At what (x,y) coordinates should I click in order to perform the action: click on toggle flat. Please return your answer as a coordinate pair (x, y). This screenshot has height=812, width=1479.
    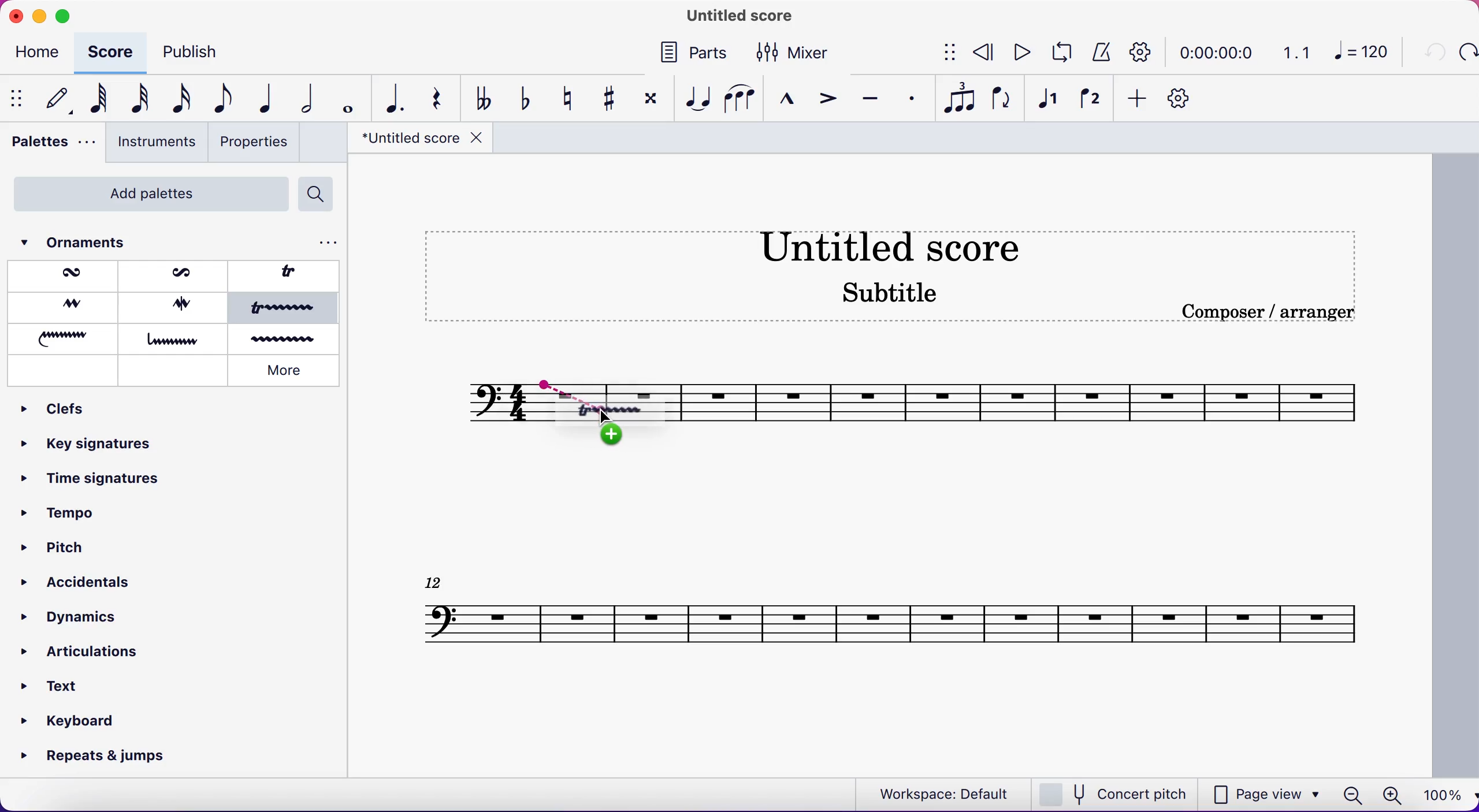
    Looking at the image, I should click on (523, 99).